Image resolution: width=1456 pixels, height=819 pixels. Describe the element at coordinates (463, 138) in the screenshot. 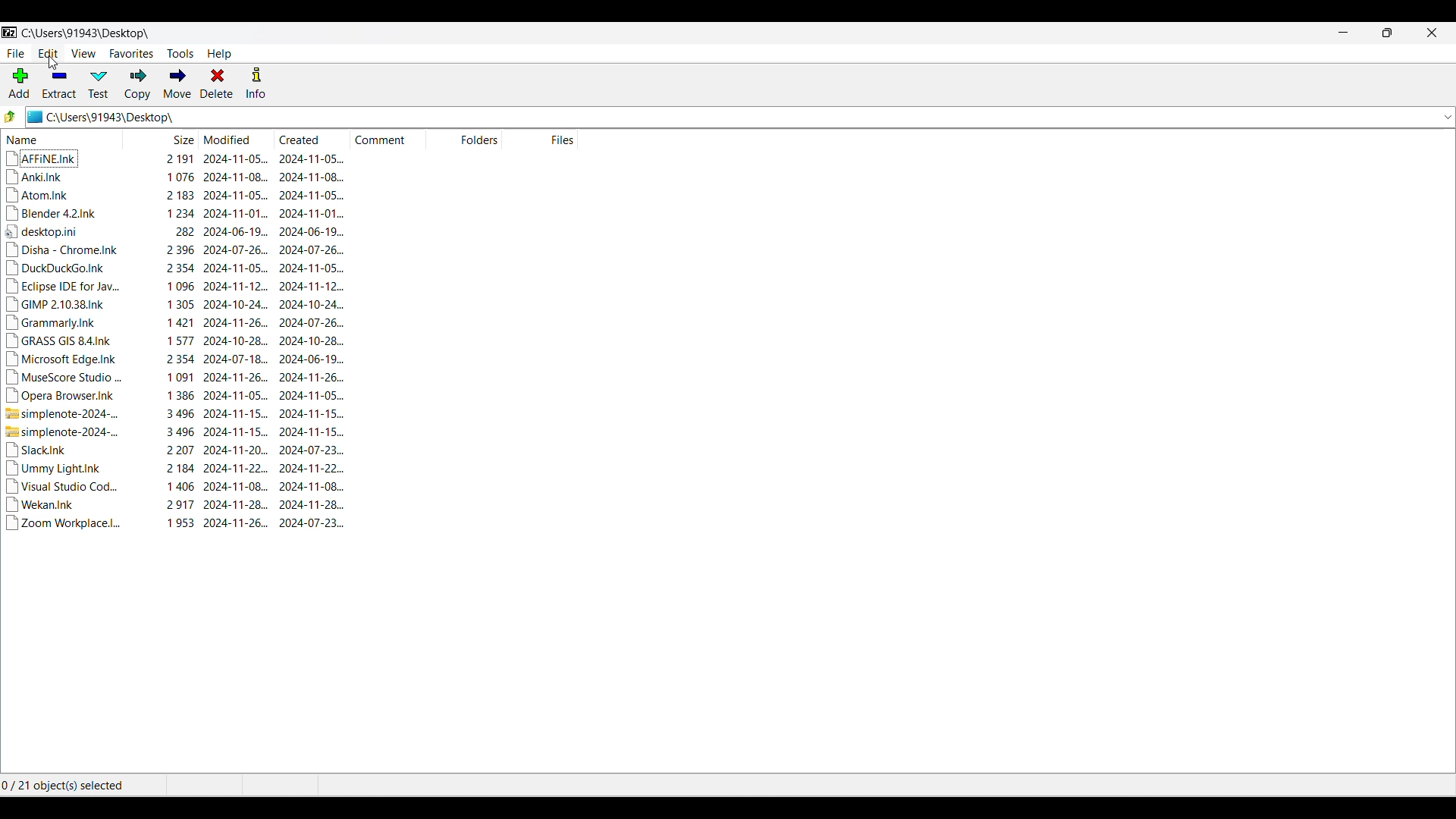

I see `Folders column` at that location.